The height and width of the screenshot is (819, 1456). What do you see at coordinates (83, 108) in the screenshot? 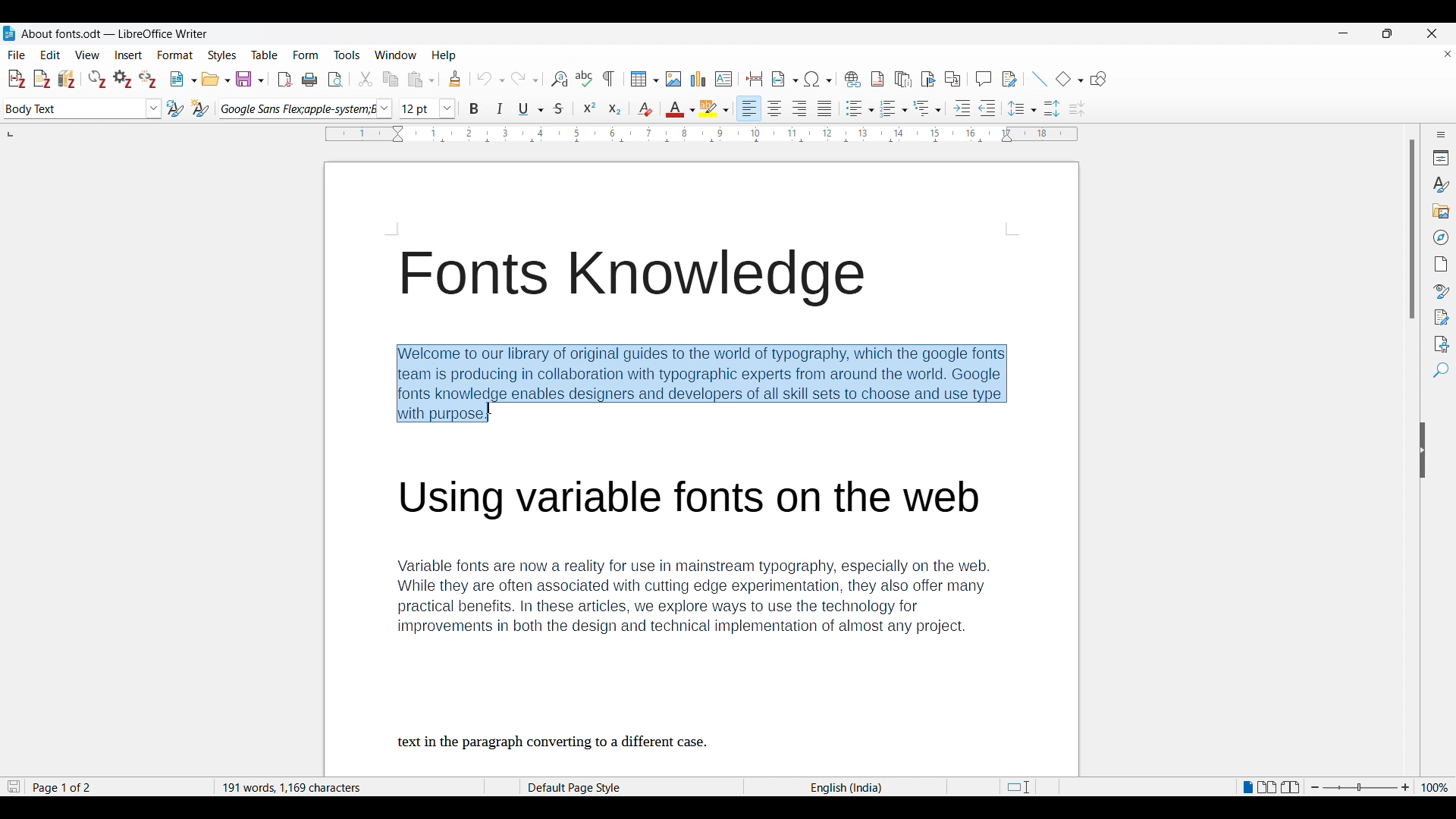
I see `Text style options` at bounding box center [83, 108].